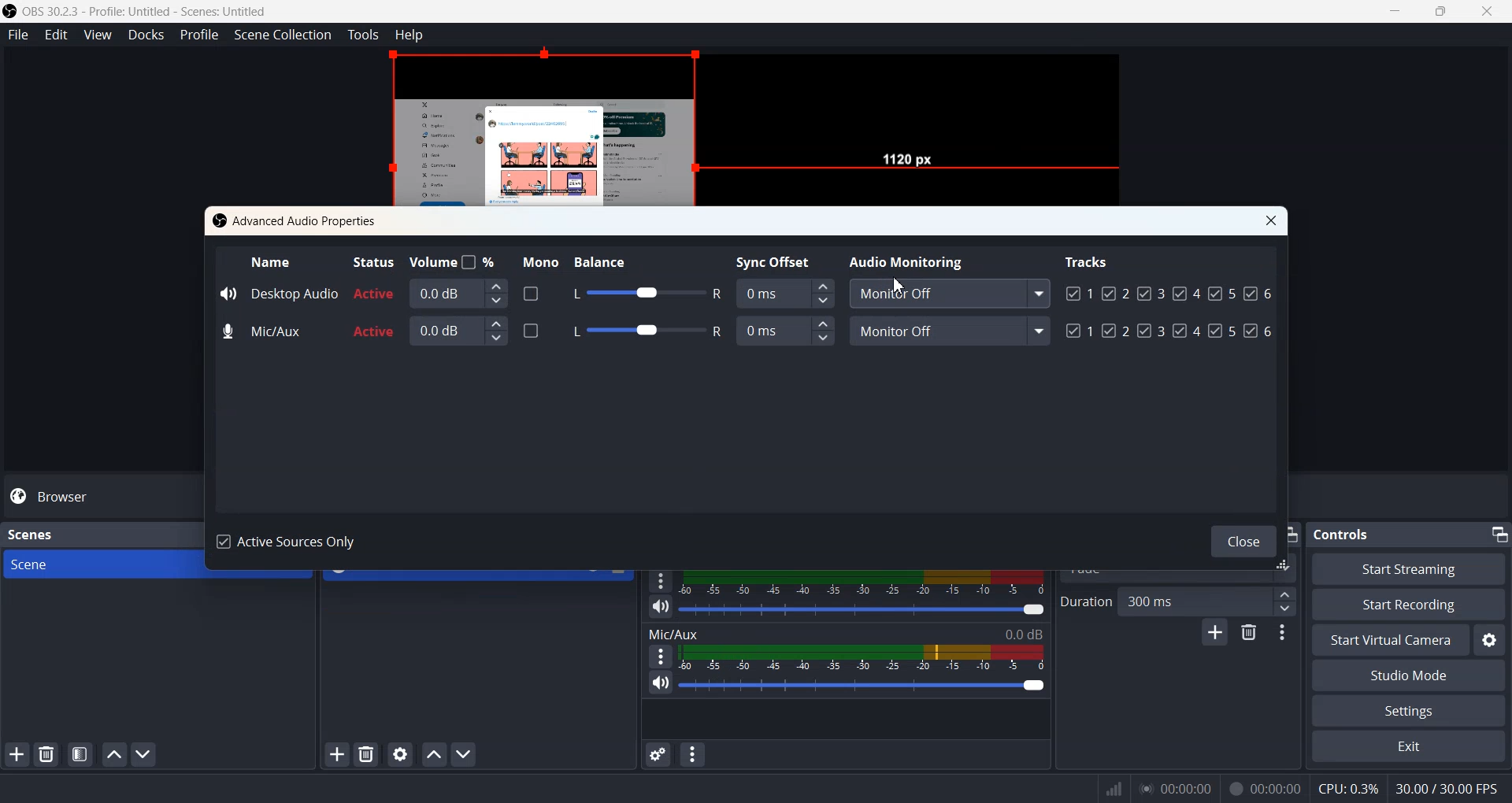 Image resolution: width=1512 pixels, height=803 pixels. Describe the element at coordinates (1408, 676) in the screenshot. I see `Studio Mode` at that location.